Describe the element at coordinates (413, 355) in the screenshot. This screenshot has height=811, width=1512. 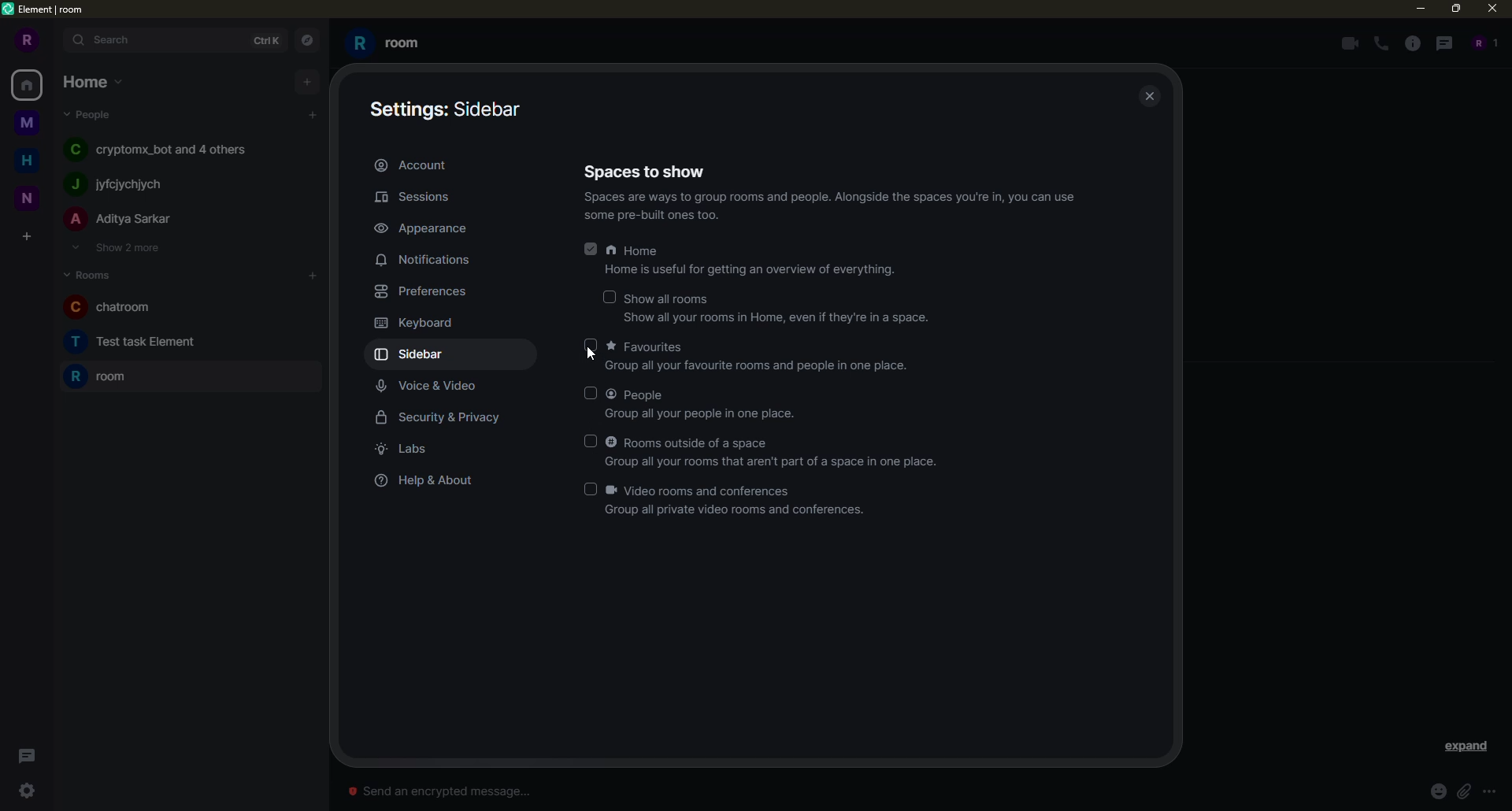
I see `sidebar` at that location.